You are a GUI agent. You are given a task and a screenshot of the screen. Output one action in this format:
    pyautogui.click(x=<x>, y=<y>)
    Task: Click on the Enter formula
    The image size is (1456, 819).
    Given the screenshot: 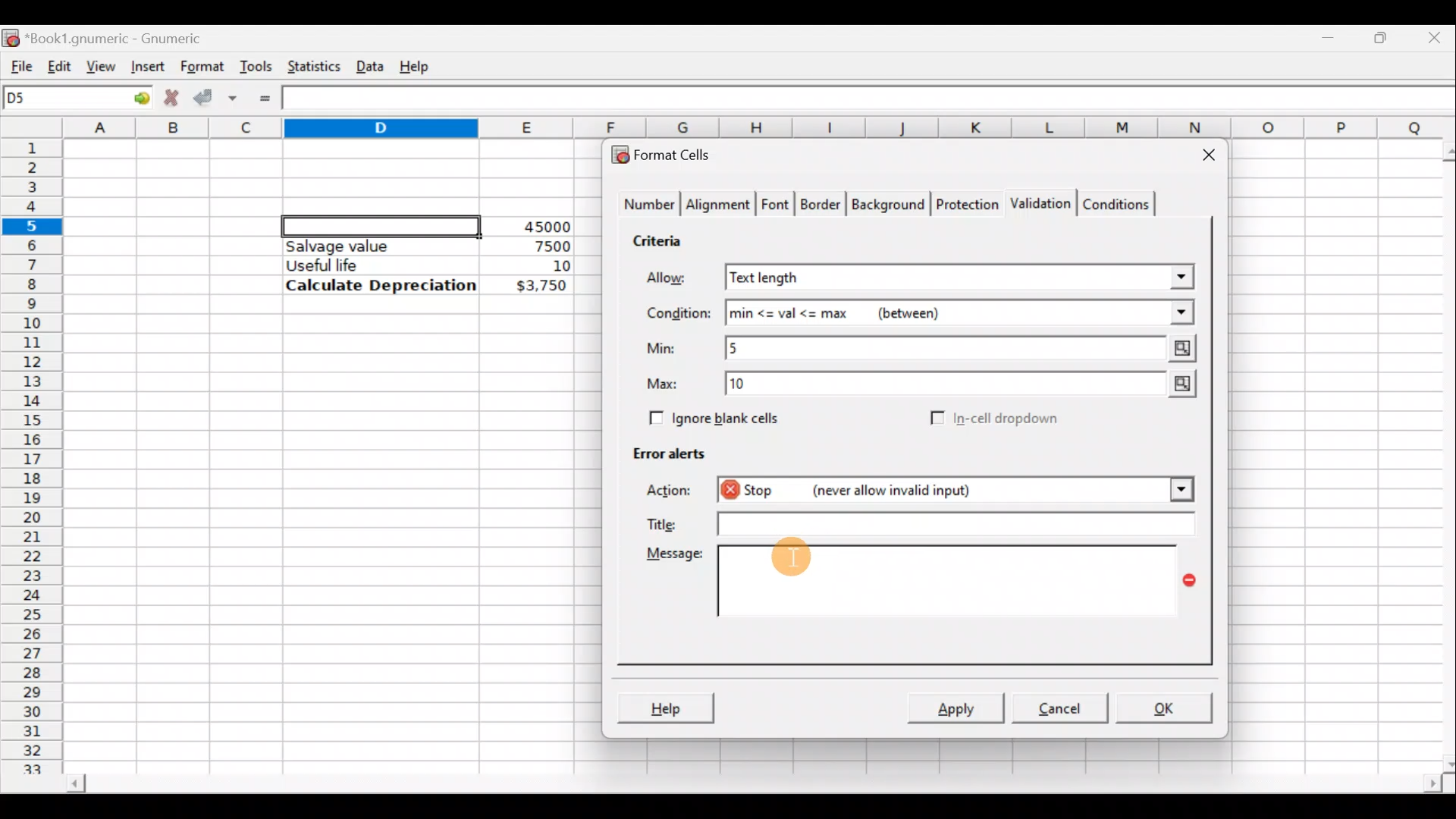 What is the action you would take?
    pyautogui.click(x=265, y=99)
    